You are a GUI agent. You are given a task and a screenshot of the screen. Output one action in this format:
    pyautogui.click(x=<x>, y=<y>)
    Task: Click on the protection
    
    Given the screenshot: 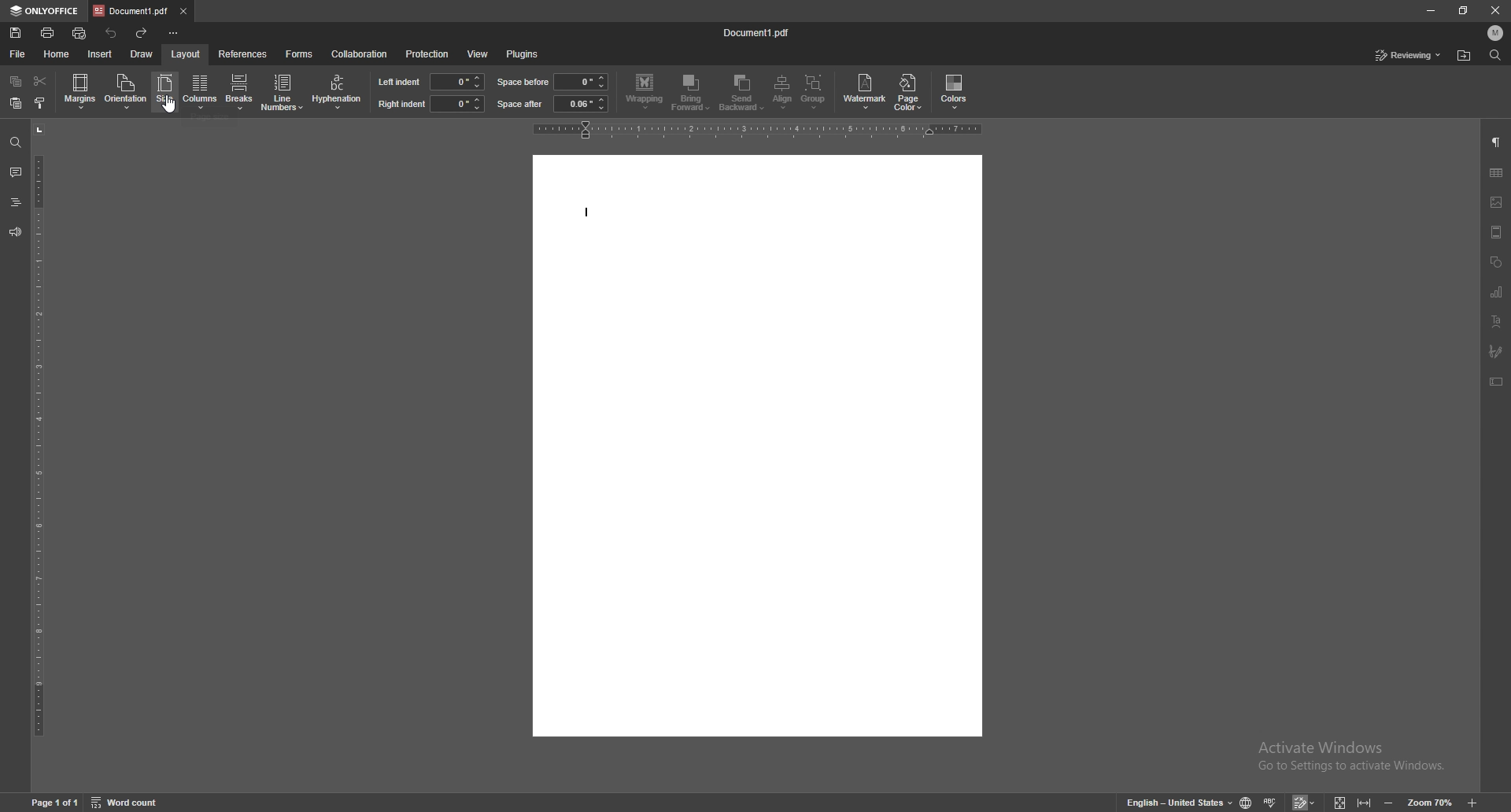 What is the action you would take?
    pyautogui.click(x=427, y=54)
    